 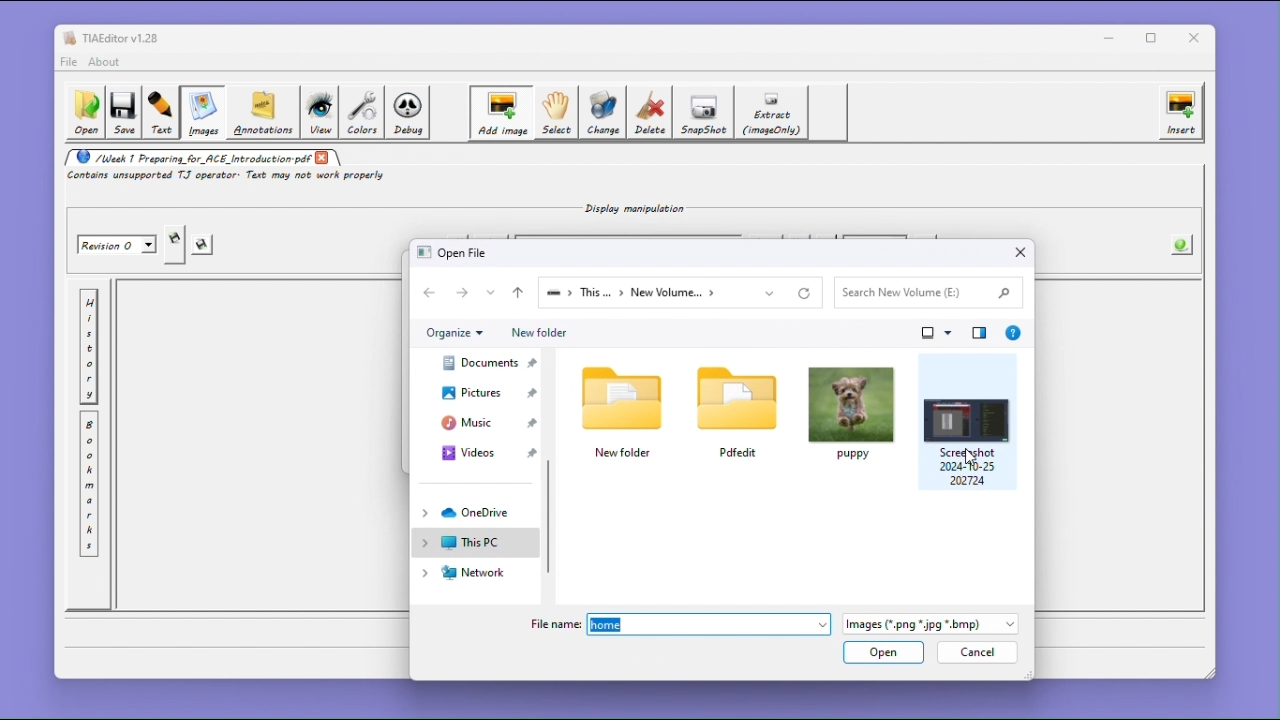 What do you see at coordinates (709, 625) in the screenshot?
I see `home` at bounding box center [709, 625].